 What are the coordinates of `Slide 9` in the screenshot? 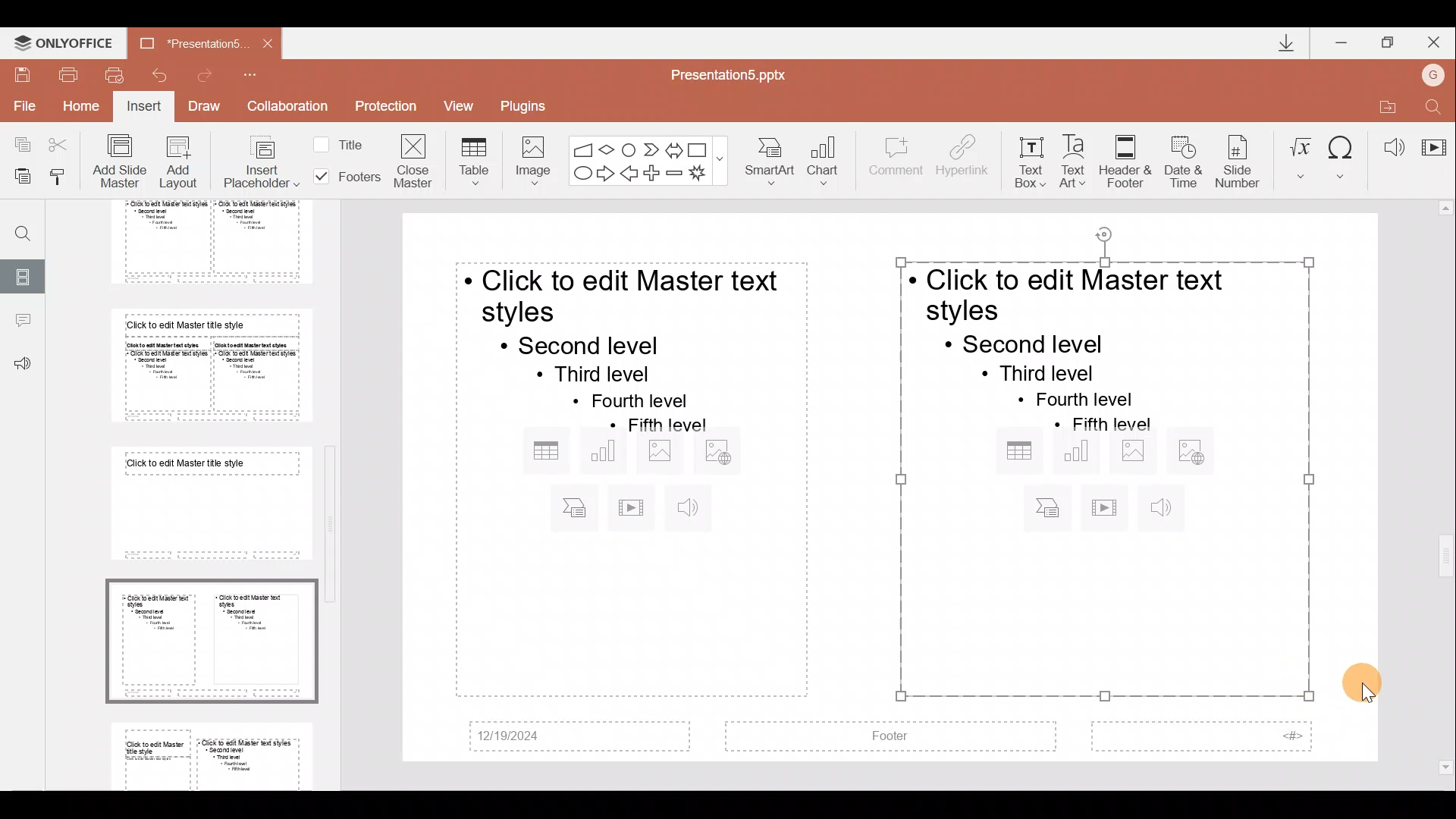 It's located at (215, 753).